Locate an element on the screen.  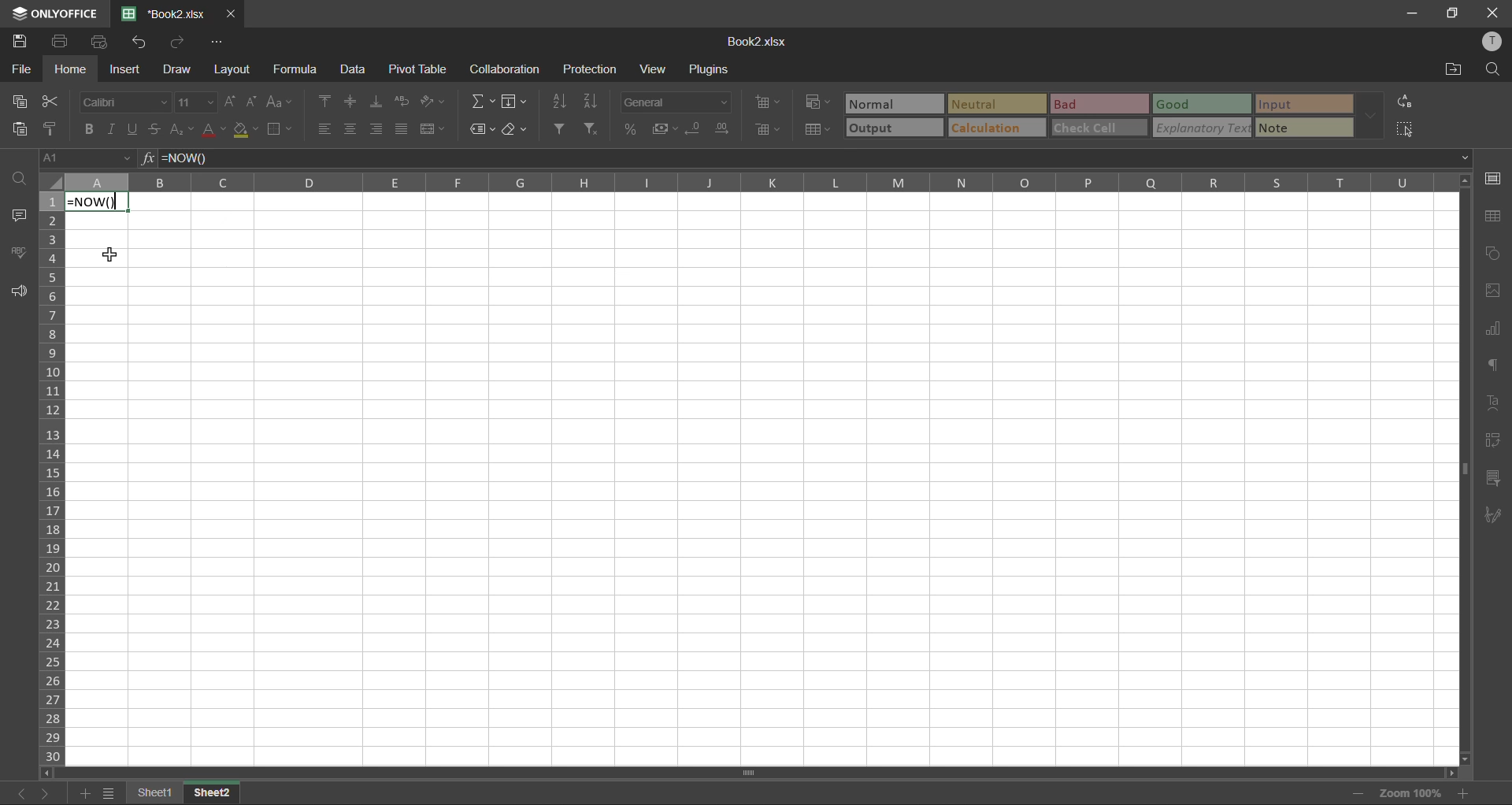
align bottom is located at coordinates (380, 102).